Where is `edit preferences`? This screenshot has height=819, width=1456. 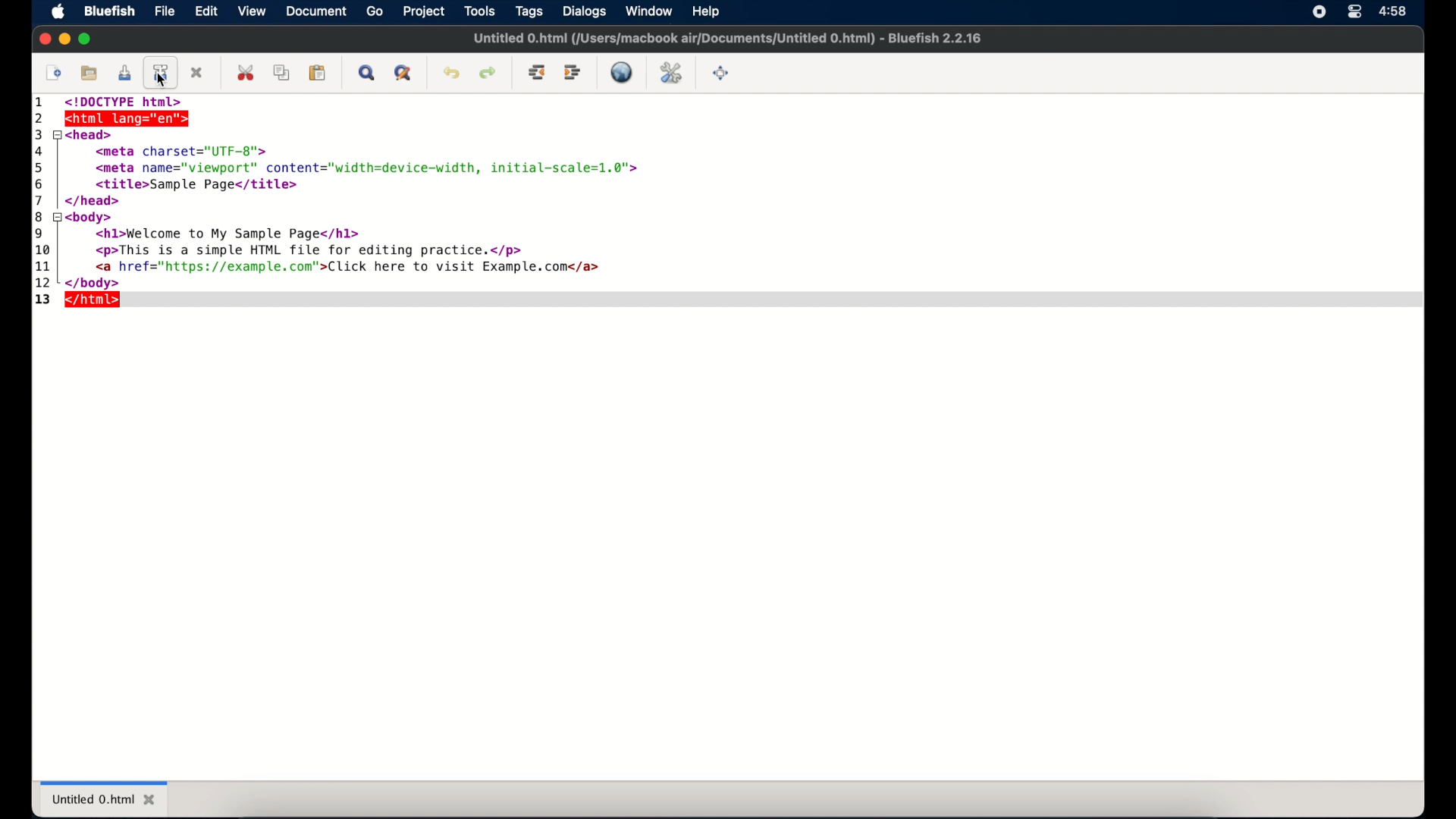 edit preferences is located at coordinates (671, 73).